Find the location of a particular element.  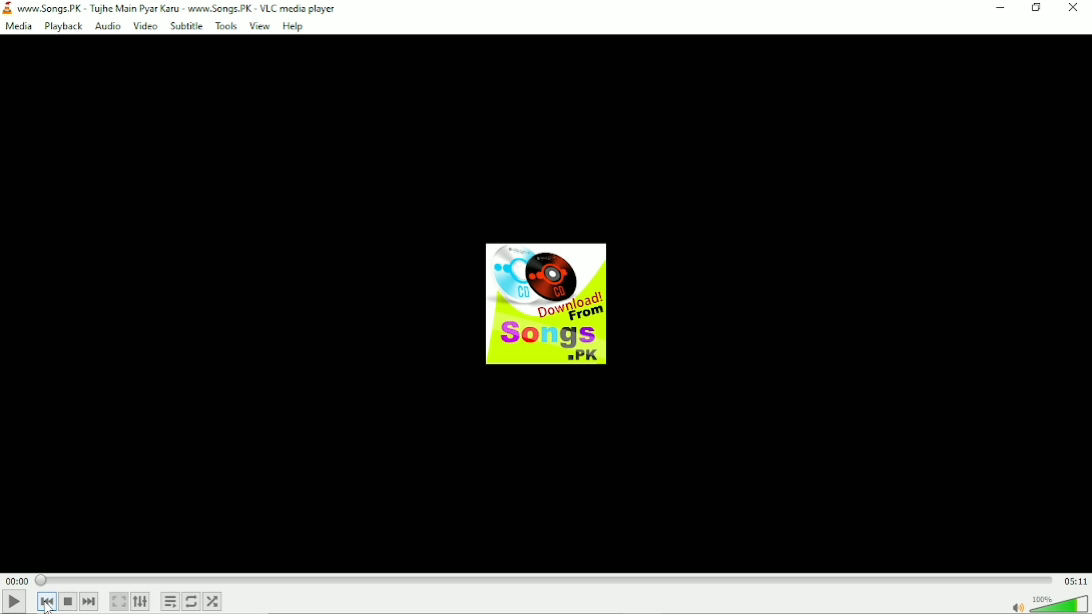

Total duration is located at coordinates (1075, 580).